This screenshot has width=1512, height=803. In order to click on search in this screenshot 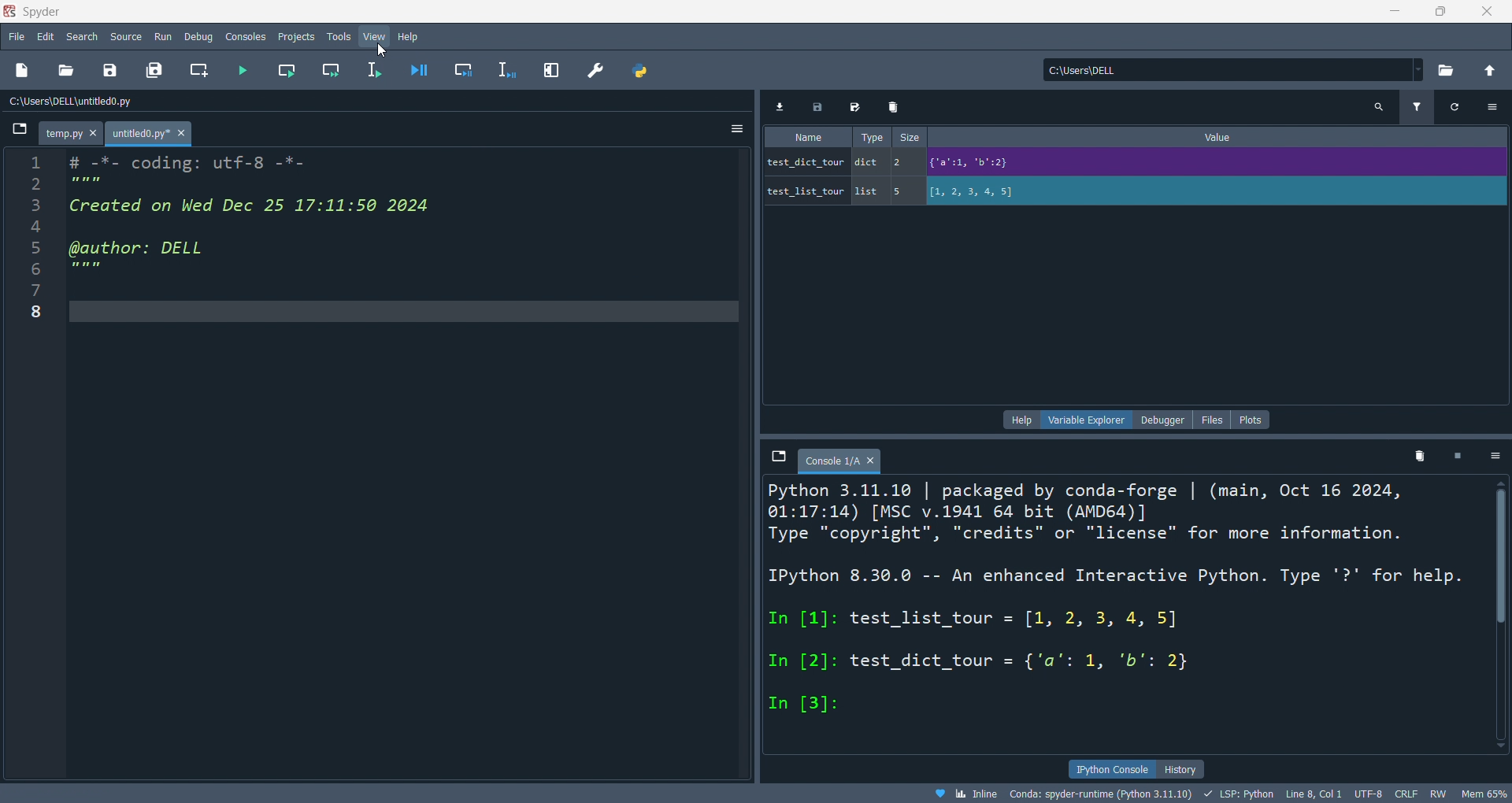, I will do `click(1380, 109)`.